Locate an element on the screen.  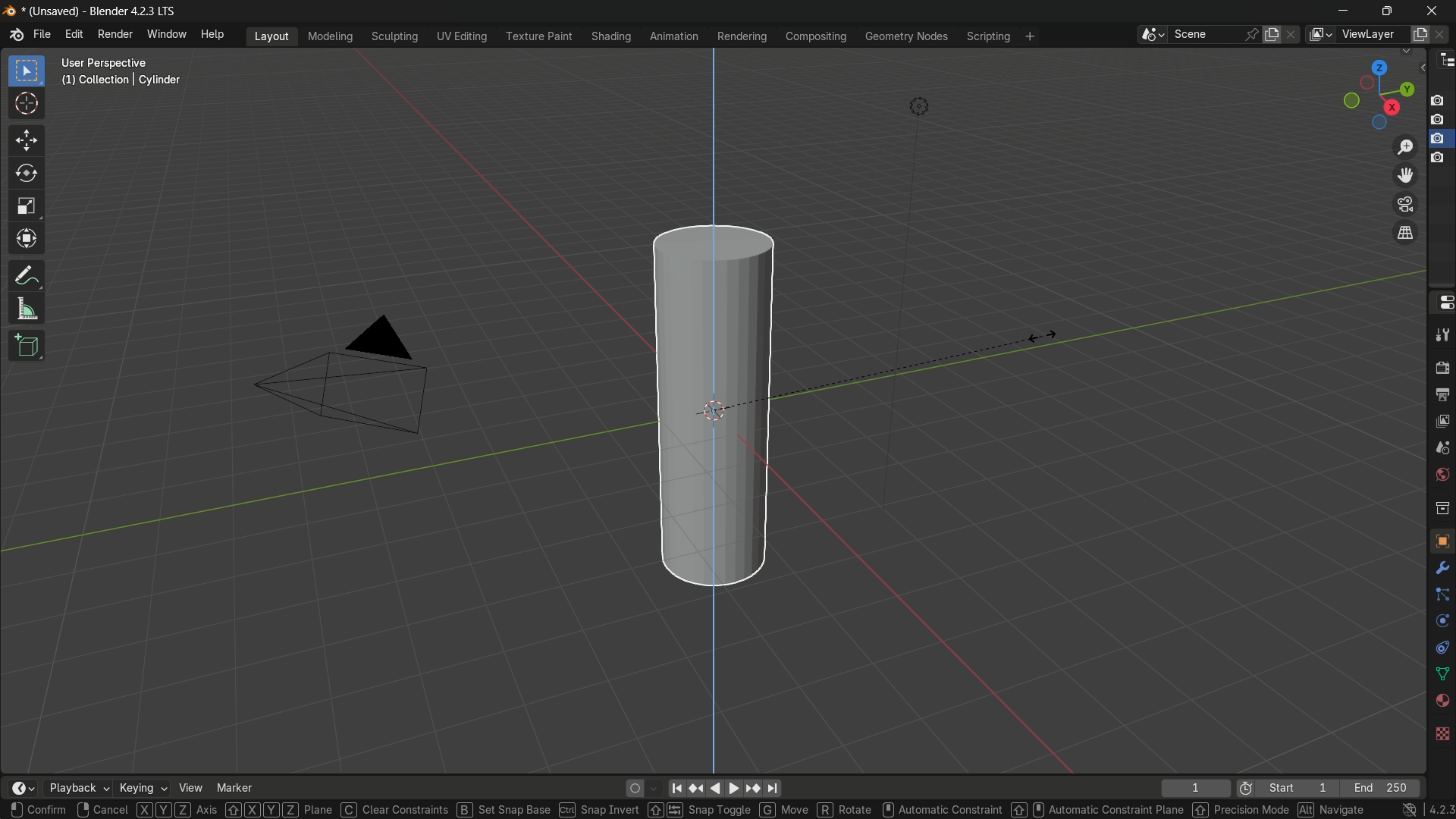
jump to keyframe is located at coordinates (695, 788).